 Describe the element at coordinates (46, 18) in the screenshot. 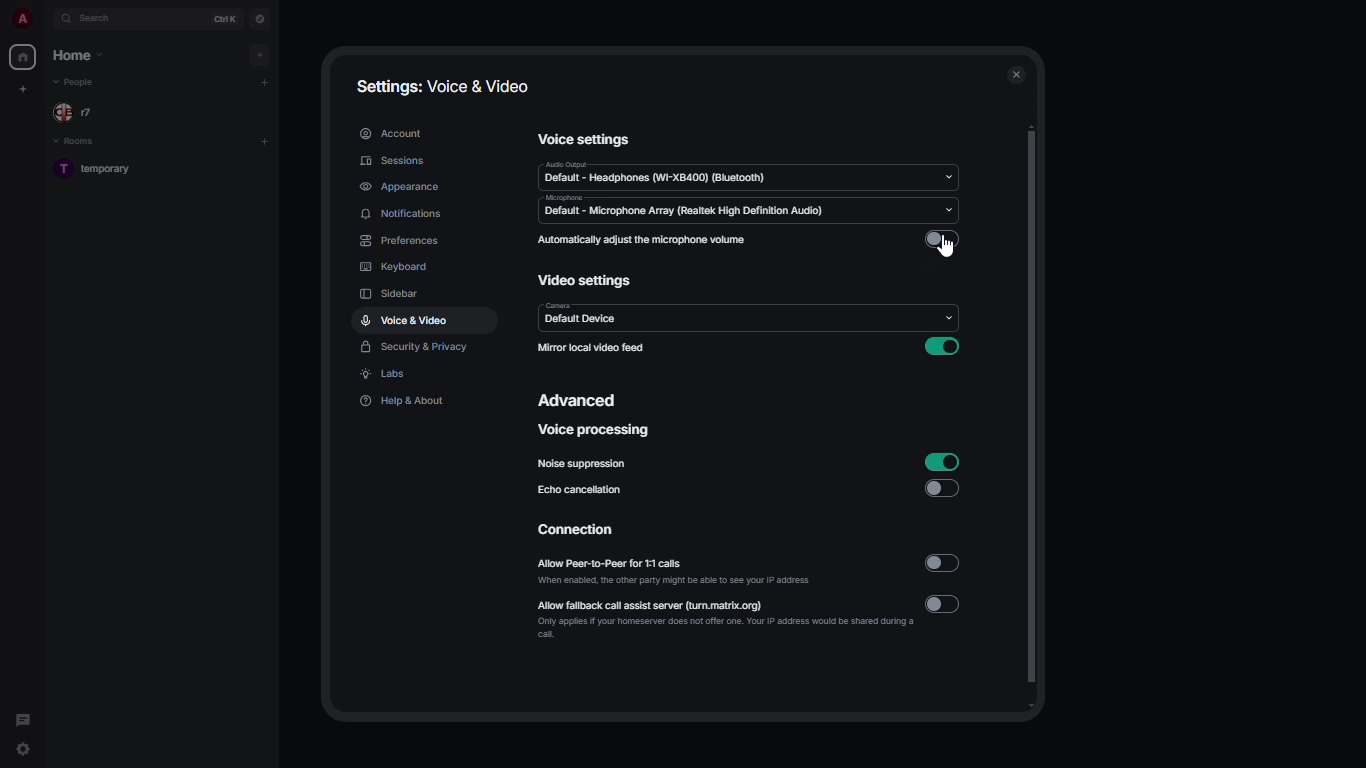

I see `expand` at that location.